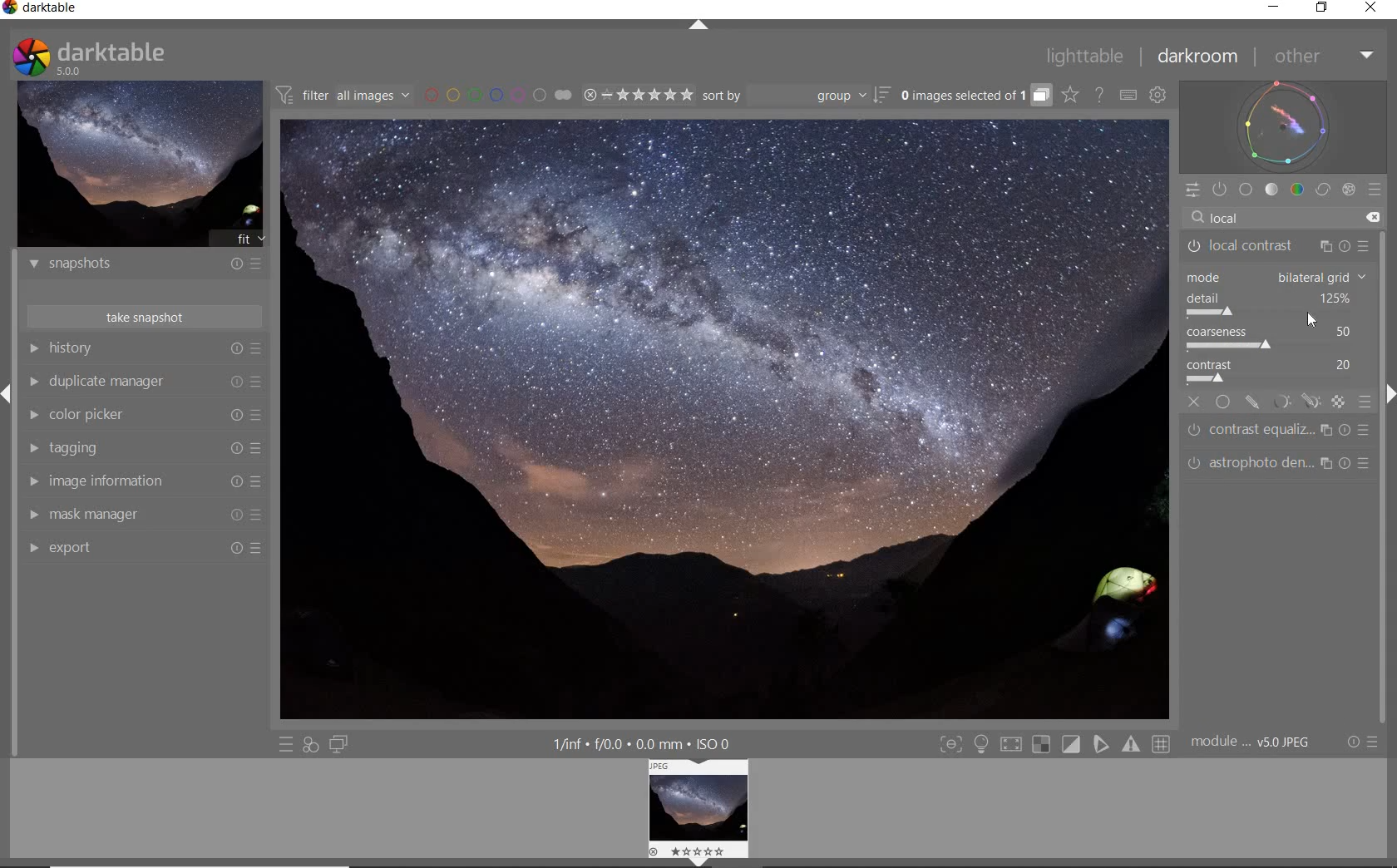 The height and width of the screenshot is (868, 1397). Describe the element at coordinates (62, 8) in the screenshot. I see `SYSTEM NAME` at that location.